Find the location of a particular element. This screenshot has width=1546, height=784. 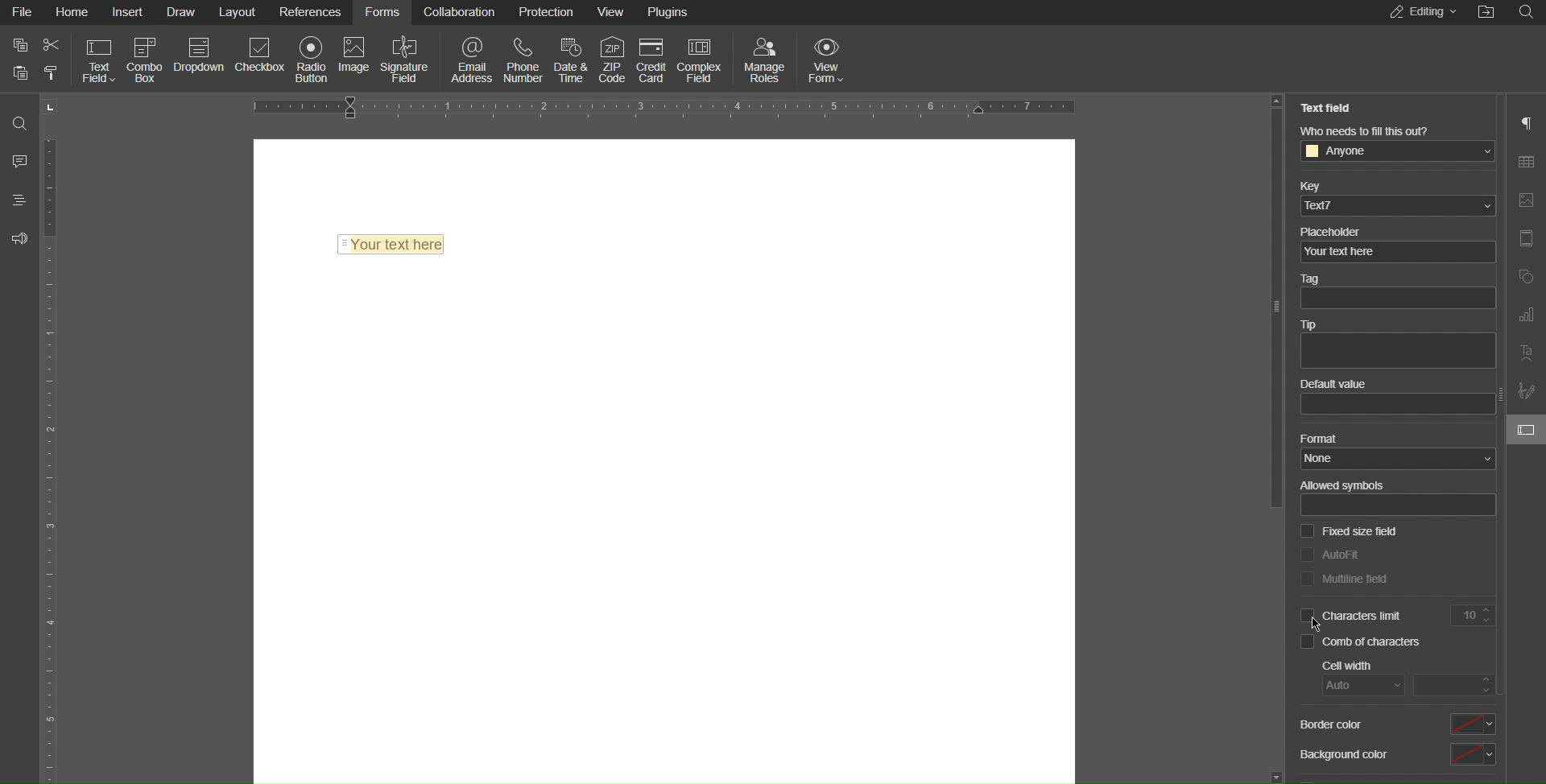

Format  is located at coordinates (1396, 452).